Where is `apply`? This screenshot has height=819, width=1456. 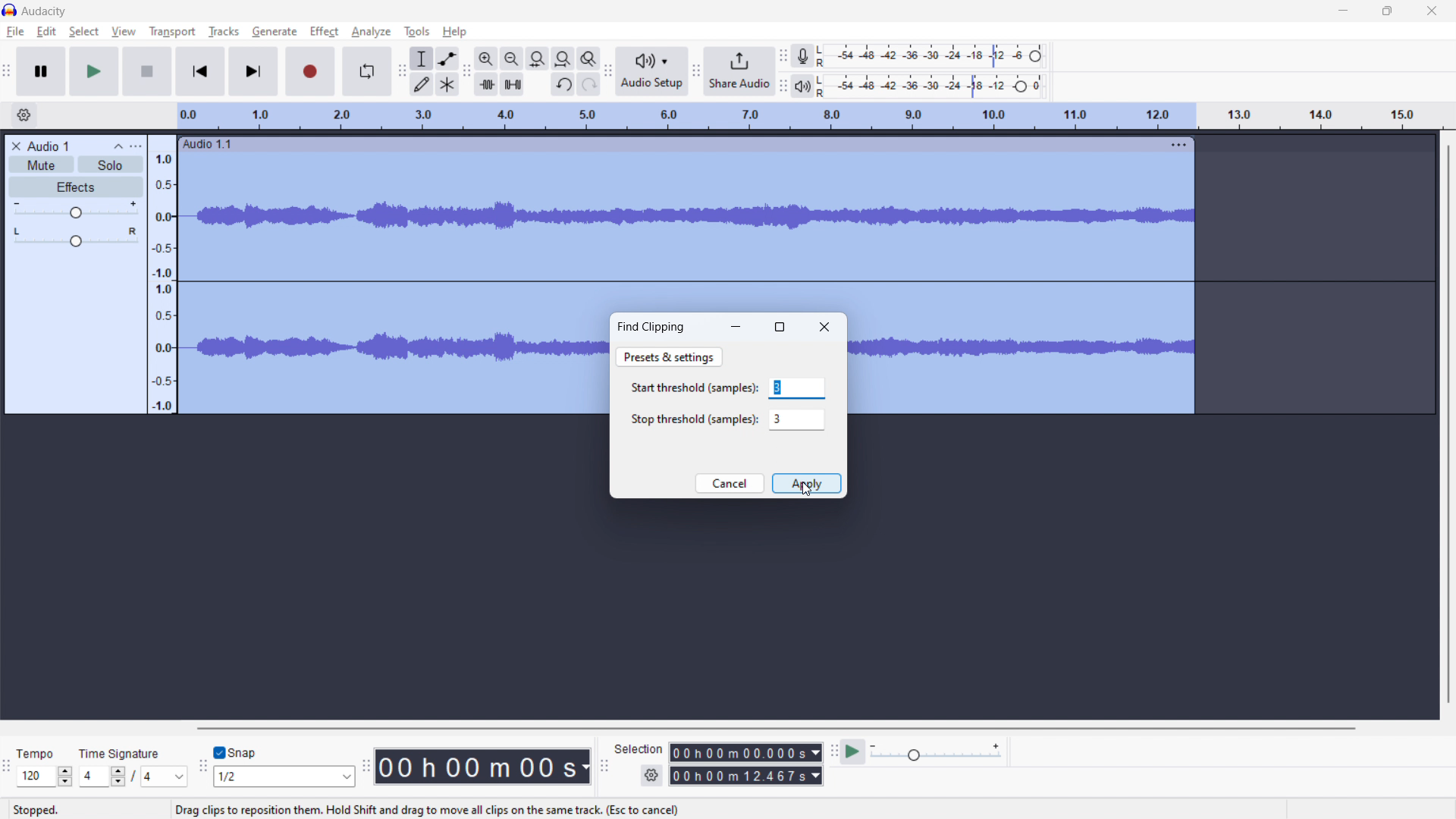
apply is located at coordinates (806, 484).